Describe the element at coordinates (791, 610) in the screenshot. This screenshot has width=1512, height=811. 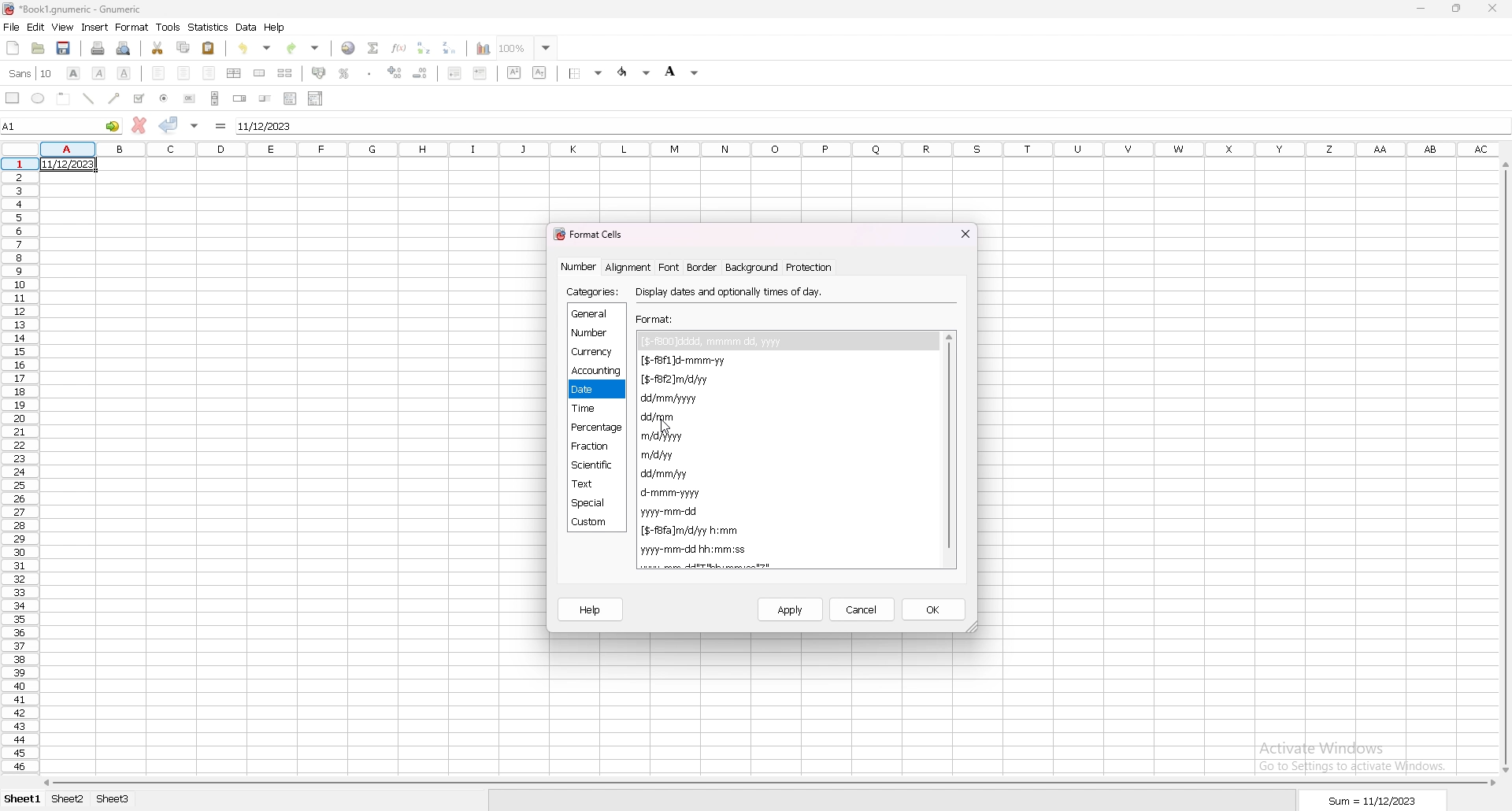
I see `apply` at that location.